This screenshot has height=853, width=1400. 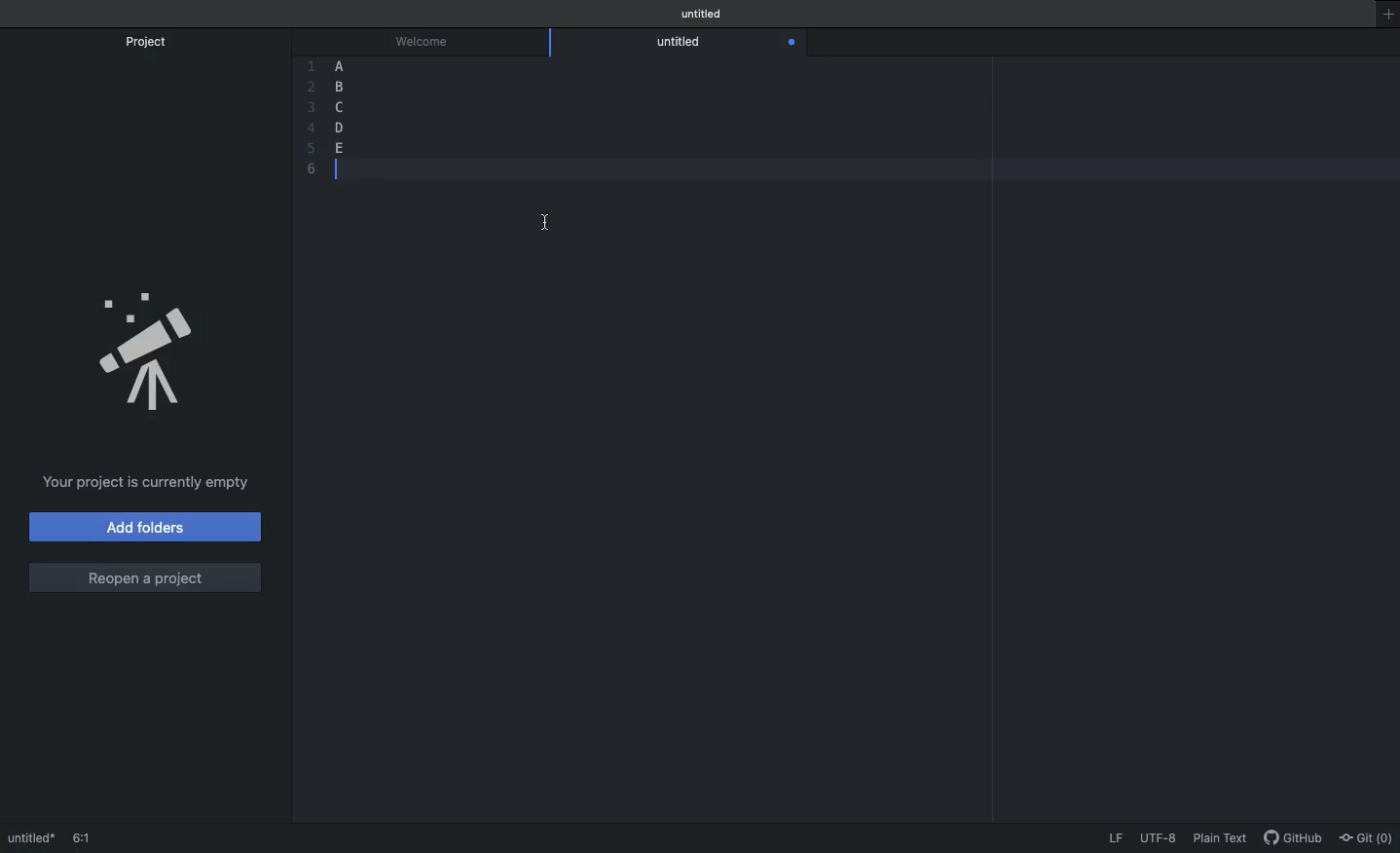 What do you see at coordinates (339, 171) in the screenshot?
I see `typing cursor` at bounding box center [339, 171].